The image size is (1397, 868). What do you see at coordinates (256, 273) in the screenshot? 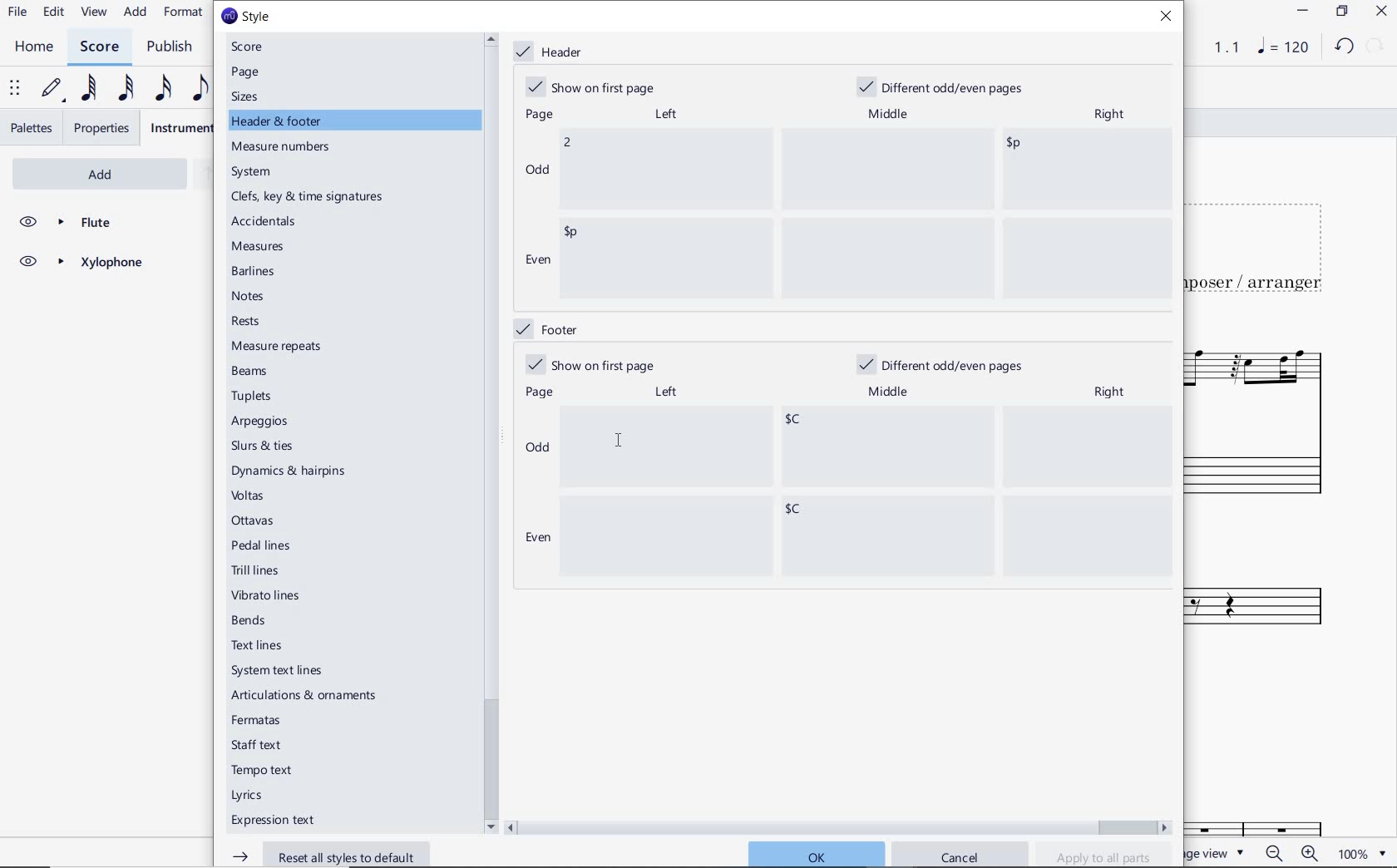
I see `barlines` at bounding box center [256, 273].